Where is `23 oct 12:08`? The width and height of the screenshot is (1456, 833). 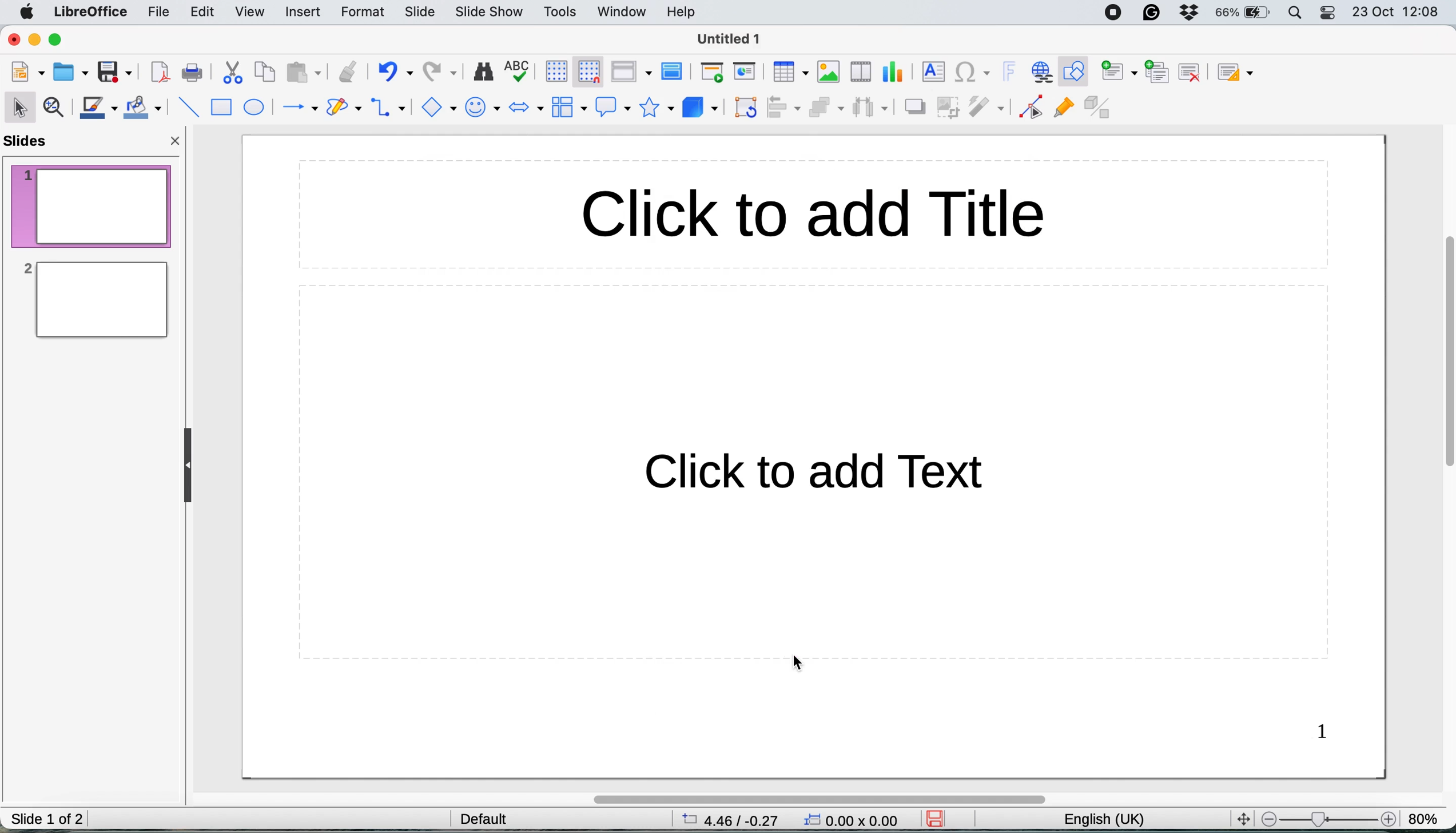 23 oct 12:08 is located at coordinates (1394, 13).